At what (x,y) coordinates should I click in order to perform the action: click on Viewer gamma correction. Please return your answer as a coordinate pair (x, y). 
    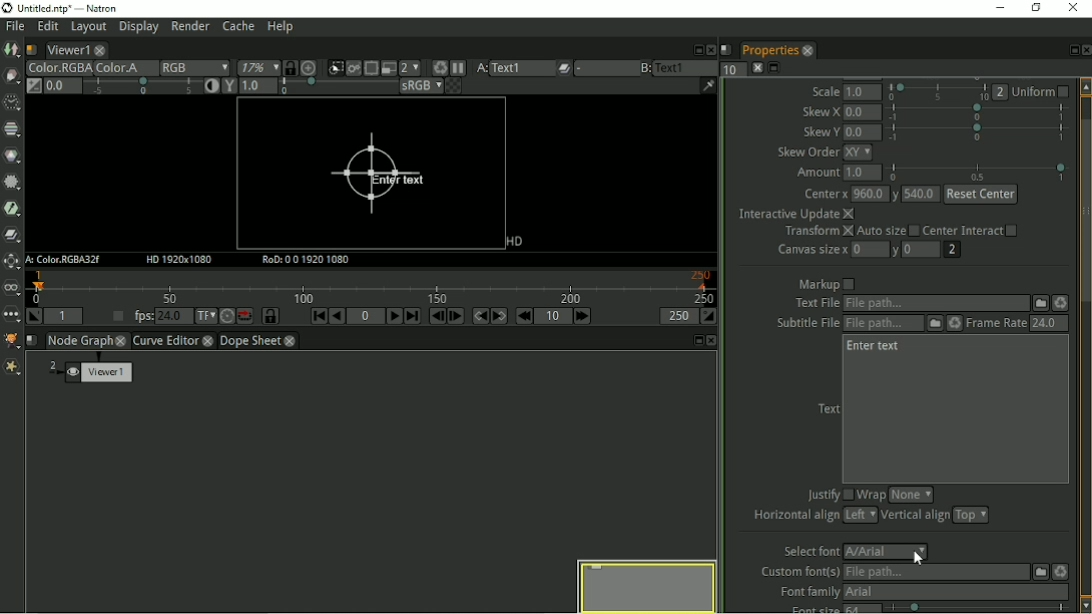
    Looking at the image, I should click on (257, 87).